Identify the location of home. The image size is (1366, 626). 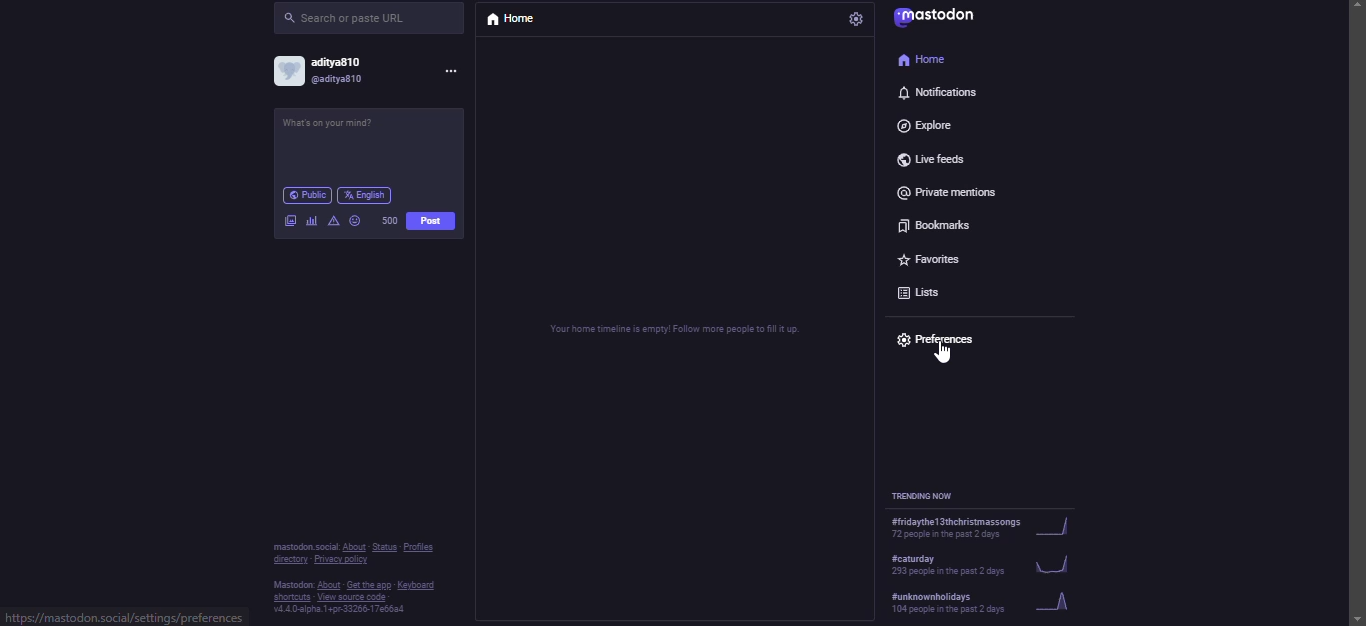
(929, 60).